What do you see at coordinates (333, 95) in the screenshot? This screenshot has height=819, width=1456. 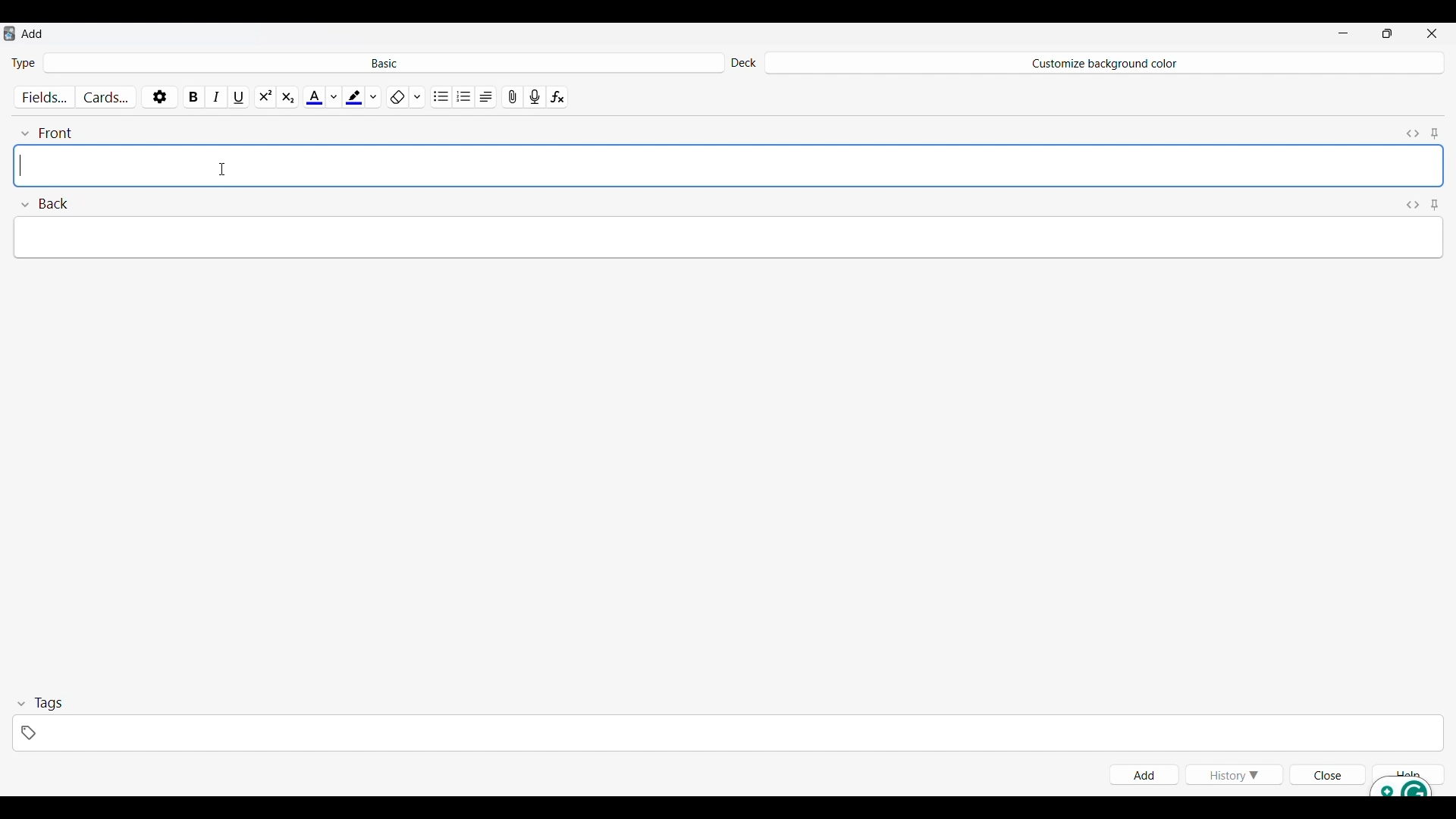 I see `Text color options` at bounding box center [333, 95].